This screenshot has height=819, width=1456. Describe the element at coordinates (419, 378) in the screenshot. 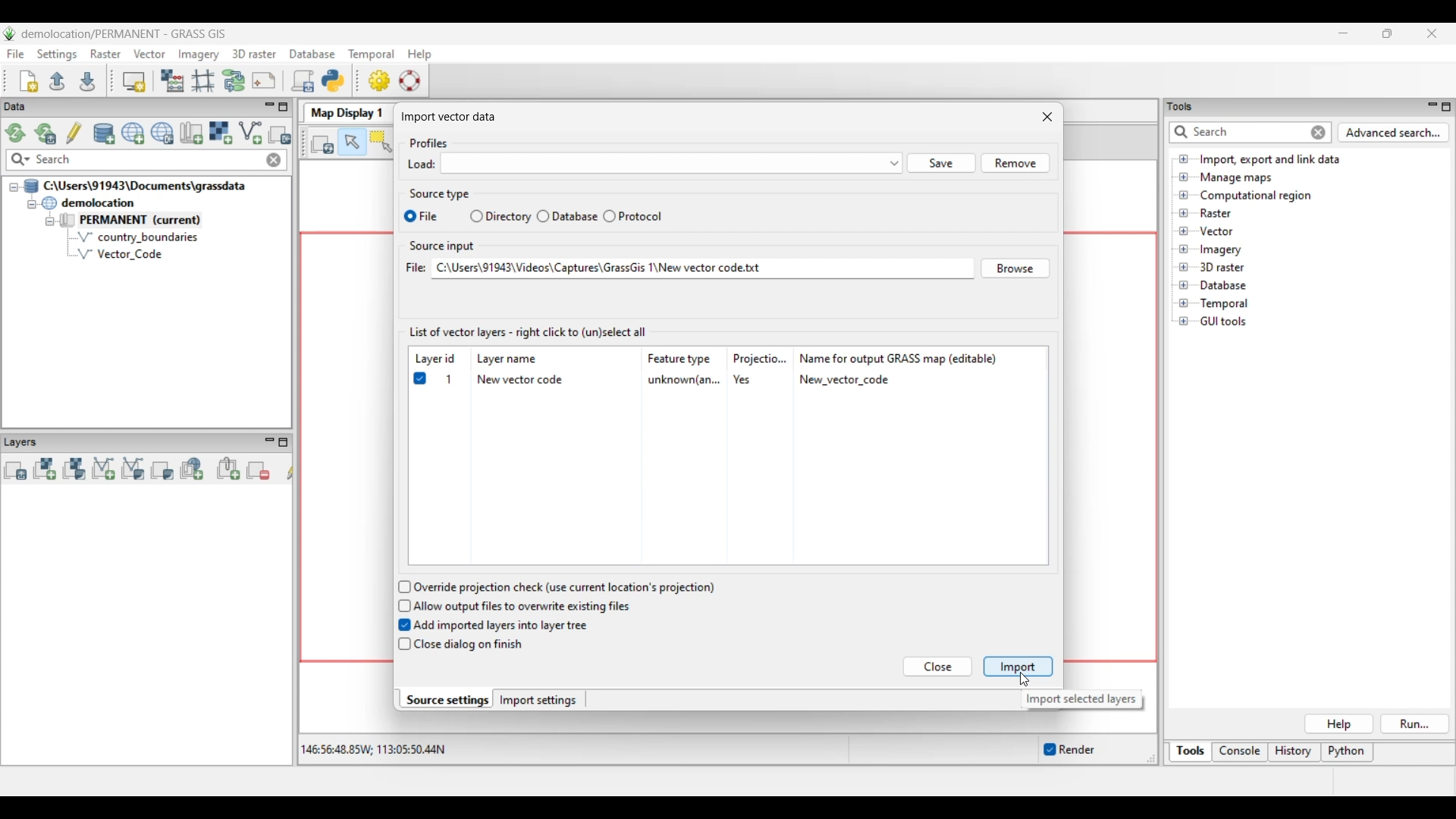

I see `Checked to show selected file` at that location.